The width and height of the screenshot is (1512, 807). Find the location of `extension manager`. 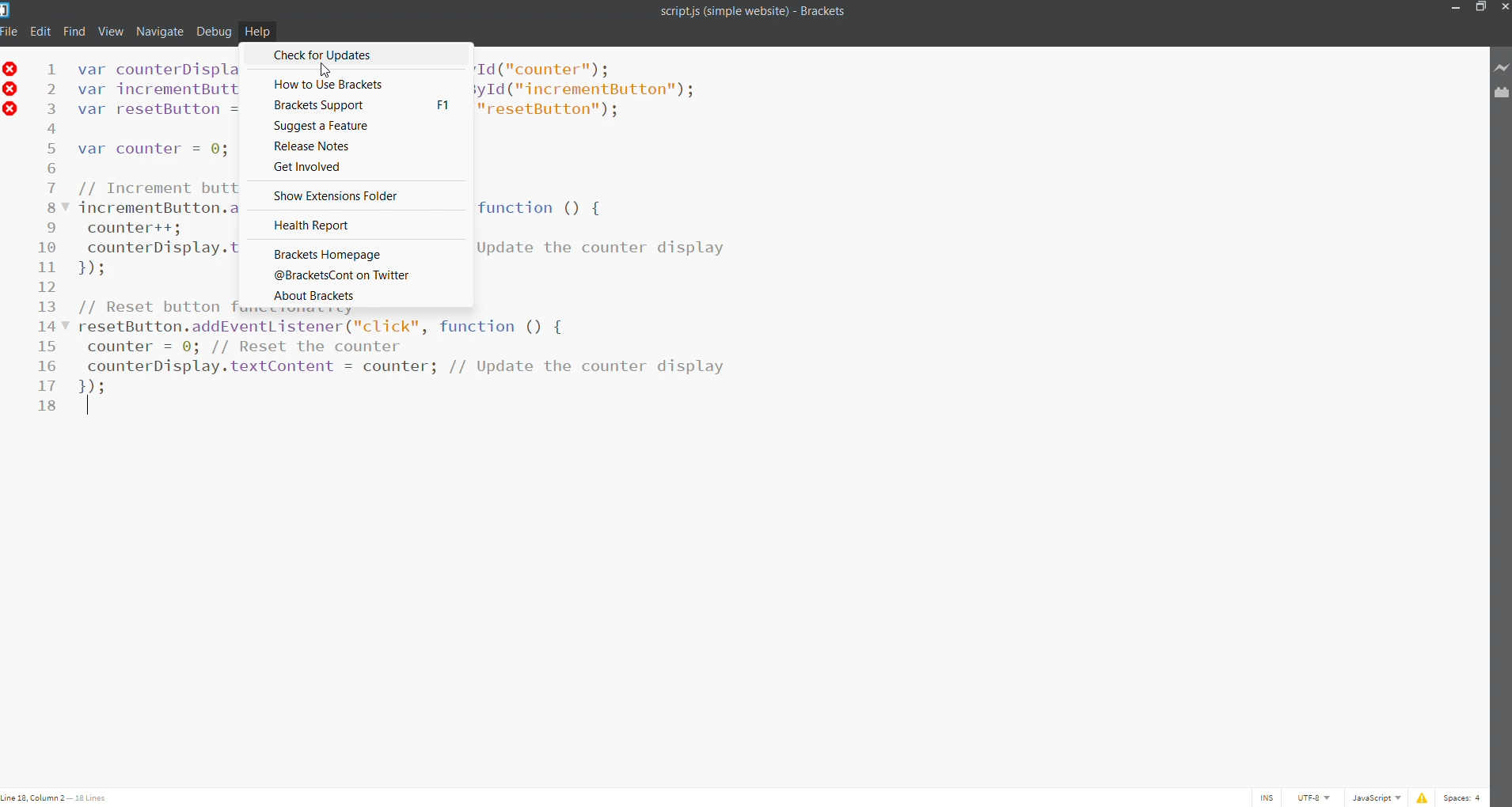

extension manager is located at coordinates (1501, 94).